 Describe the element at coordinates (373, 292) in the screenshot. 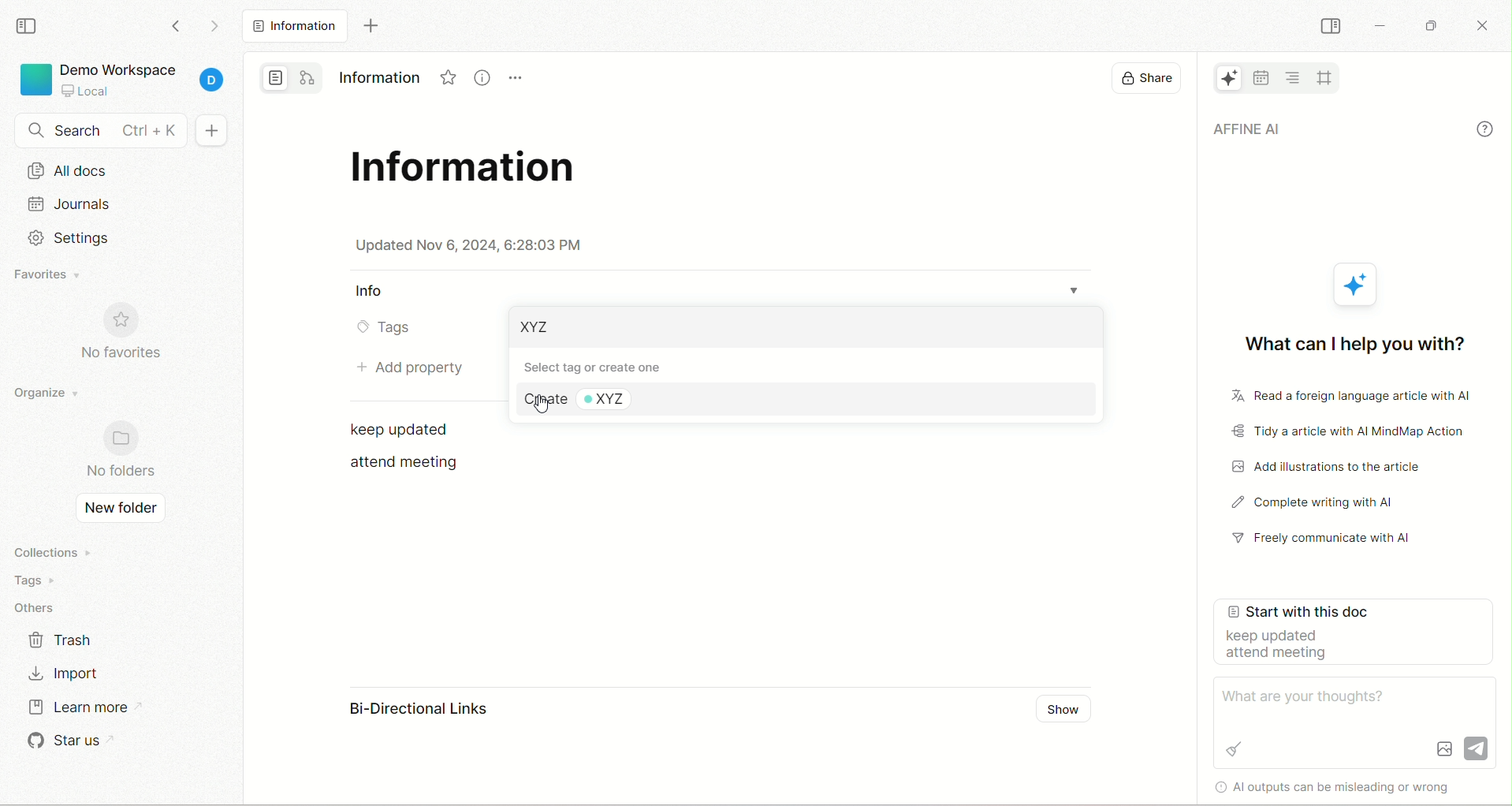

I see `Info` at that location.